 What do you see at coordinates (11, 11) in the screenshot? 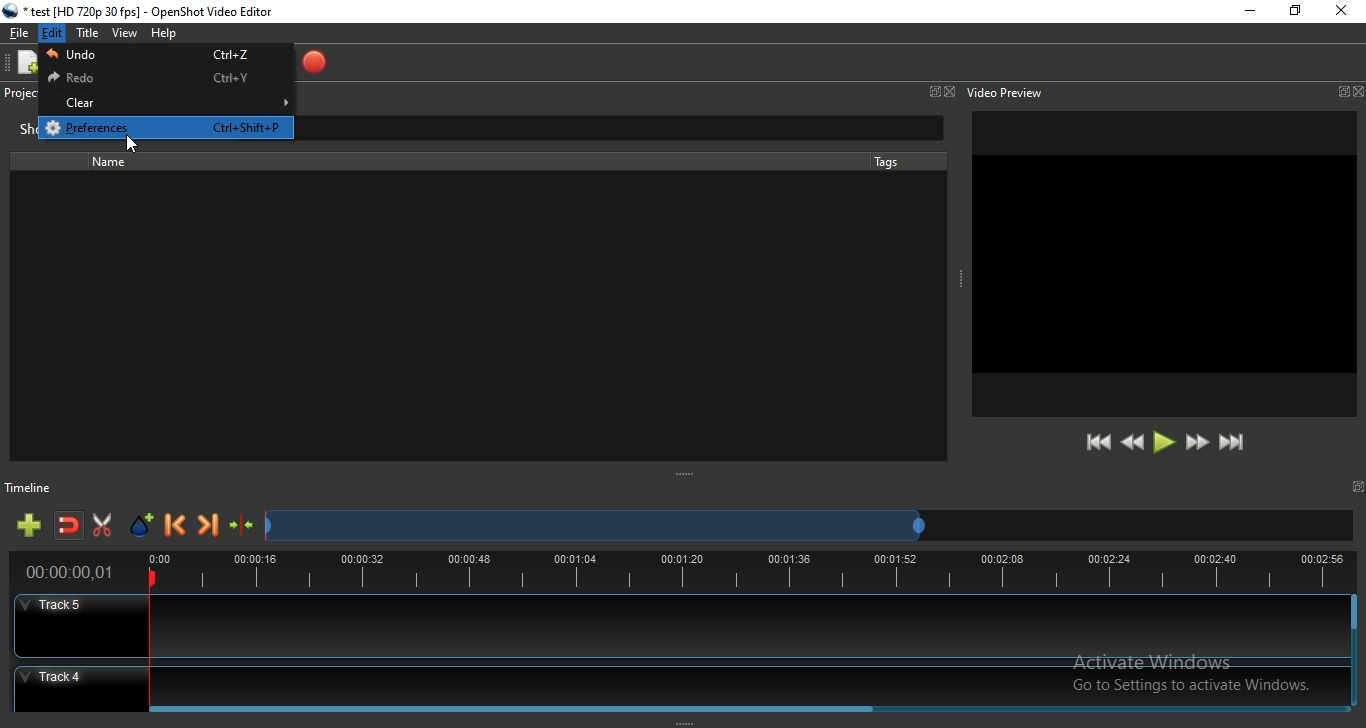
I see `Openshot Desktop icon` at bounding box center [11, 11].